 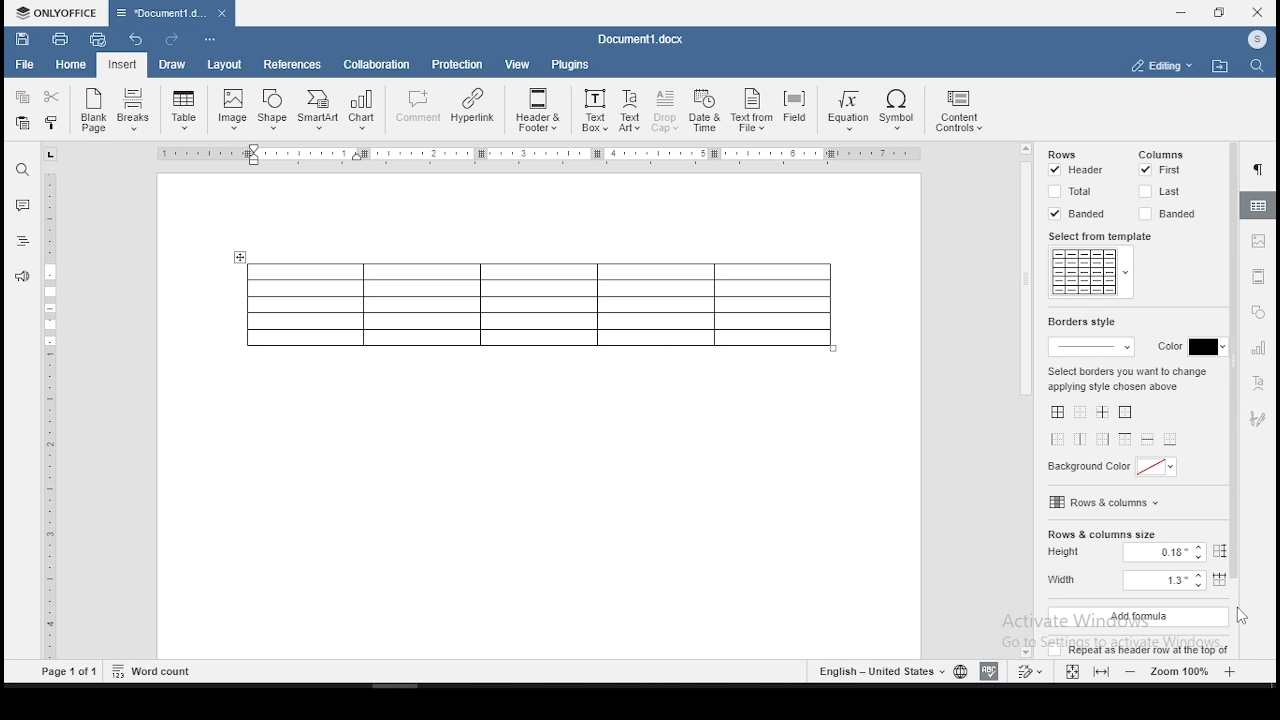 What do you see at coordinates (1126, 441) in the screenshot?
I see `only top border` at bounding box center [1126, 441].